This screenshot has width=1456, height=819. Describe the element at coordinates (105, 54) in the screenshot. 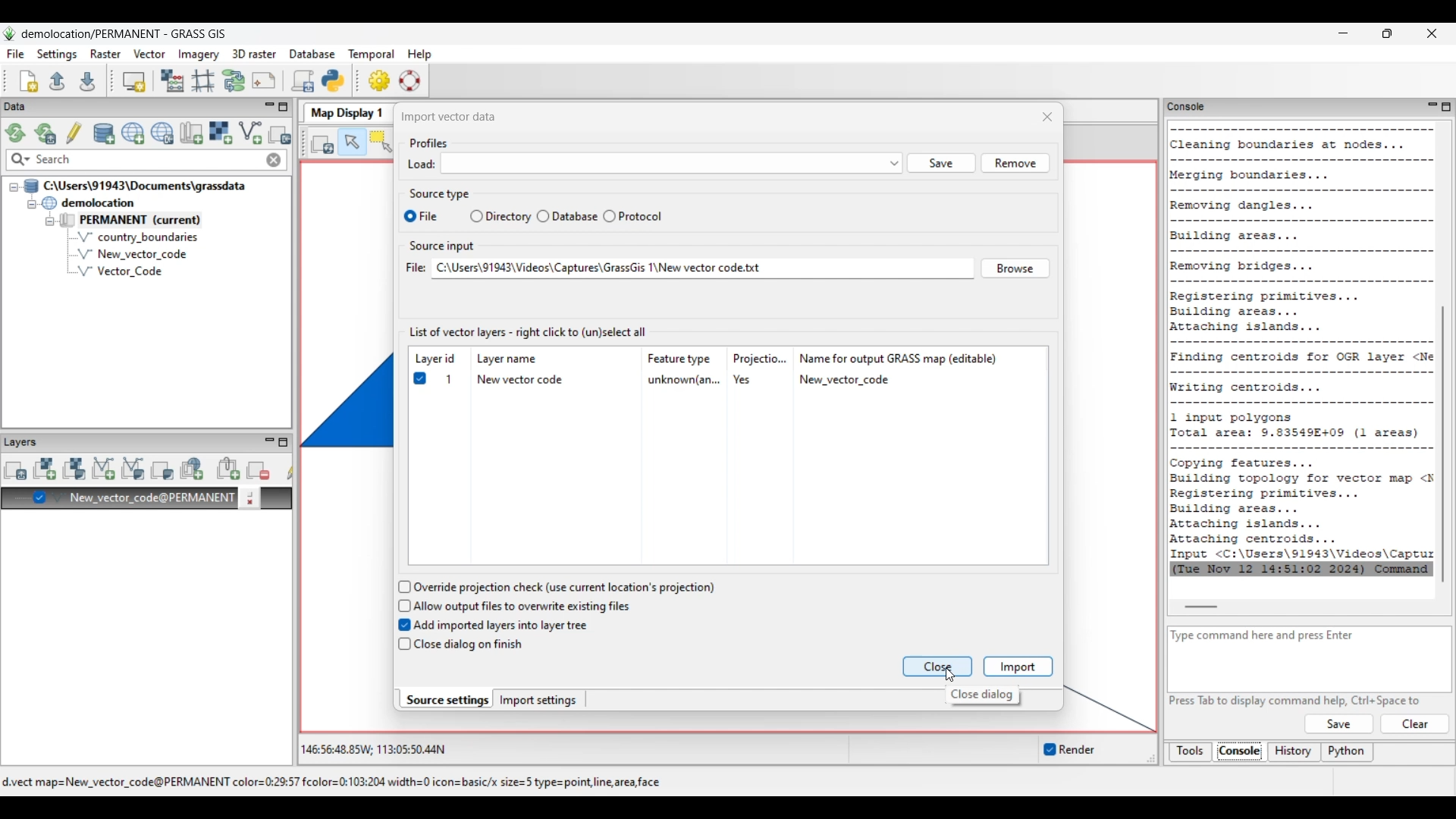

I see `Raster menu` at that location.